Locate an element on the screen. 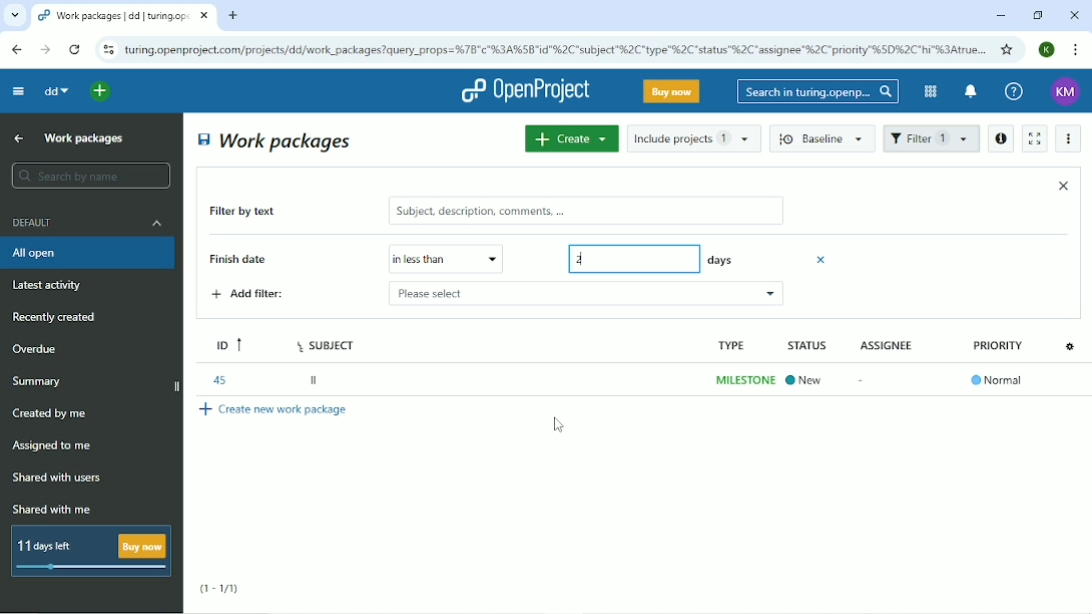 This screenshot has width=1092, height=614. Recently created is located at coordinates (58, 317).